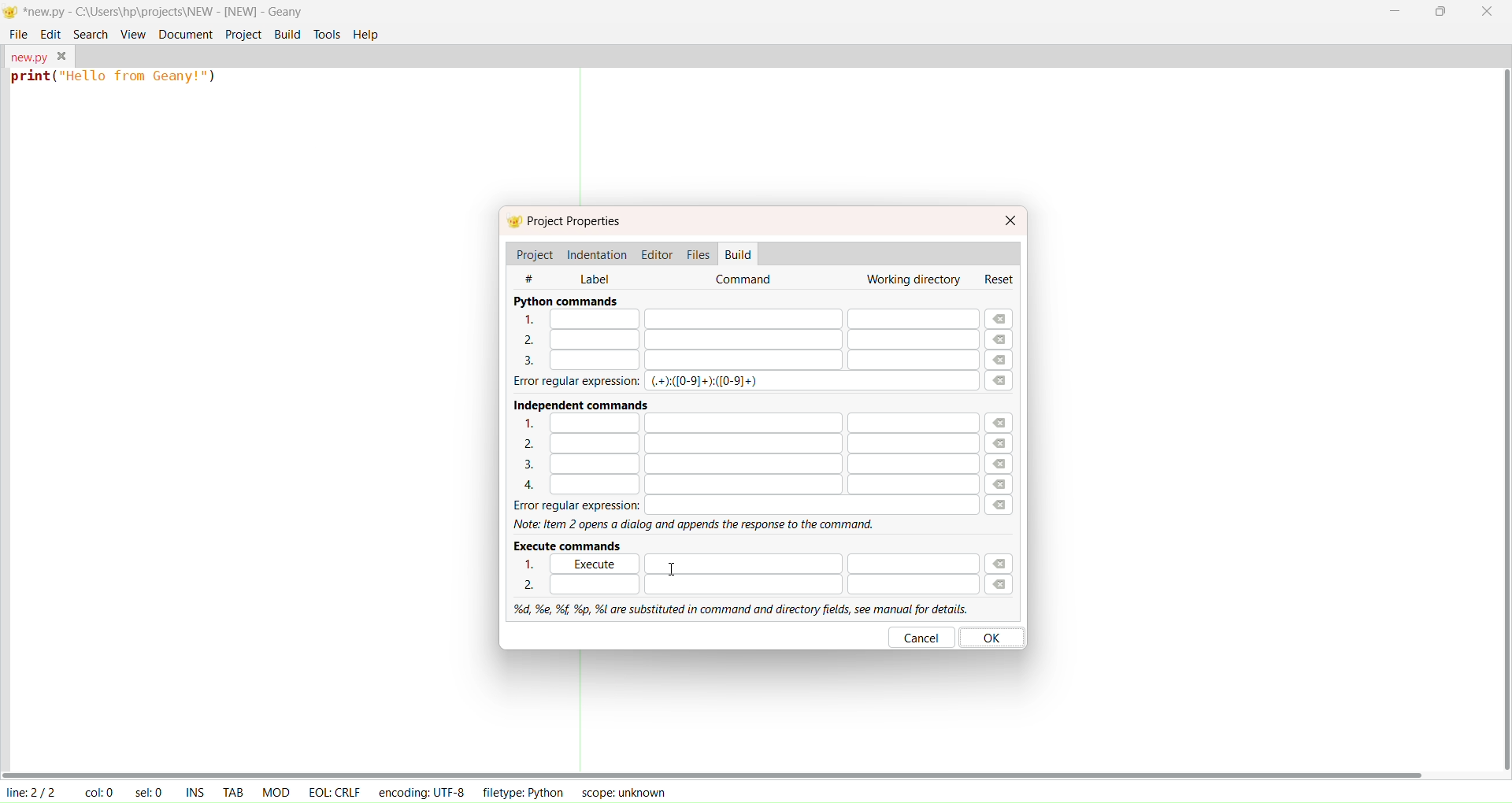 The height and width of the screenshot is (803, 1512). I want to click on set: 0, so click(151, 792).